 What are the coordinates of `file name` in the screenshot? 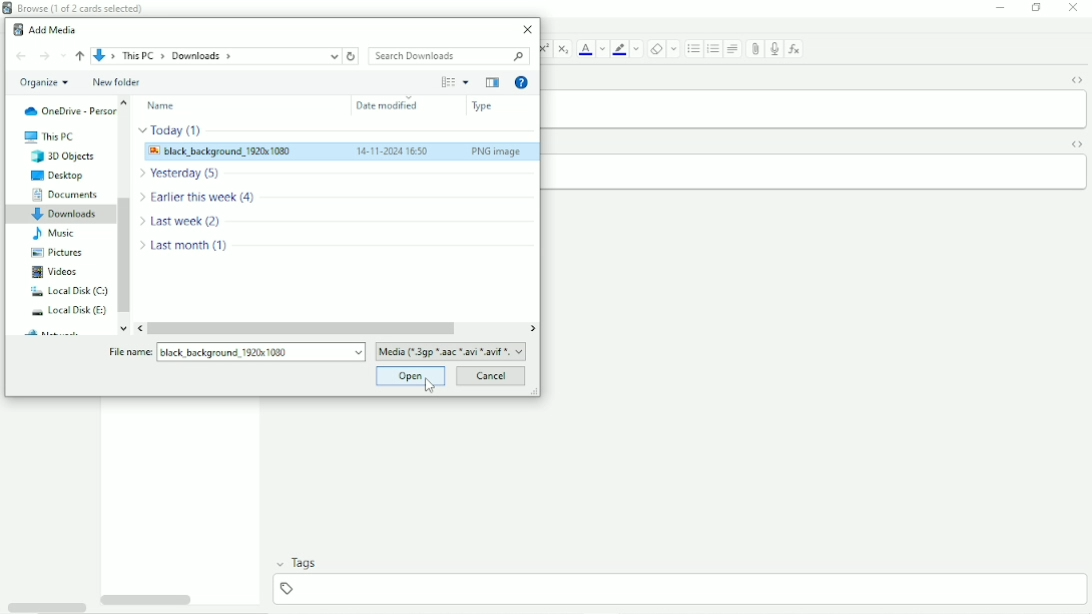 It's located at (130, 352).